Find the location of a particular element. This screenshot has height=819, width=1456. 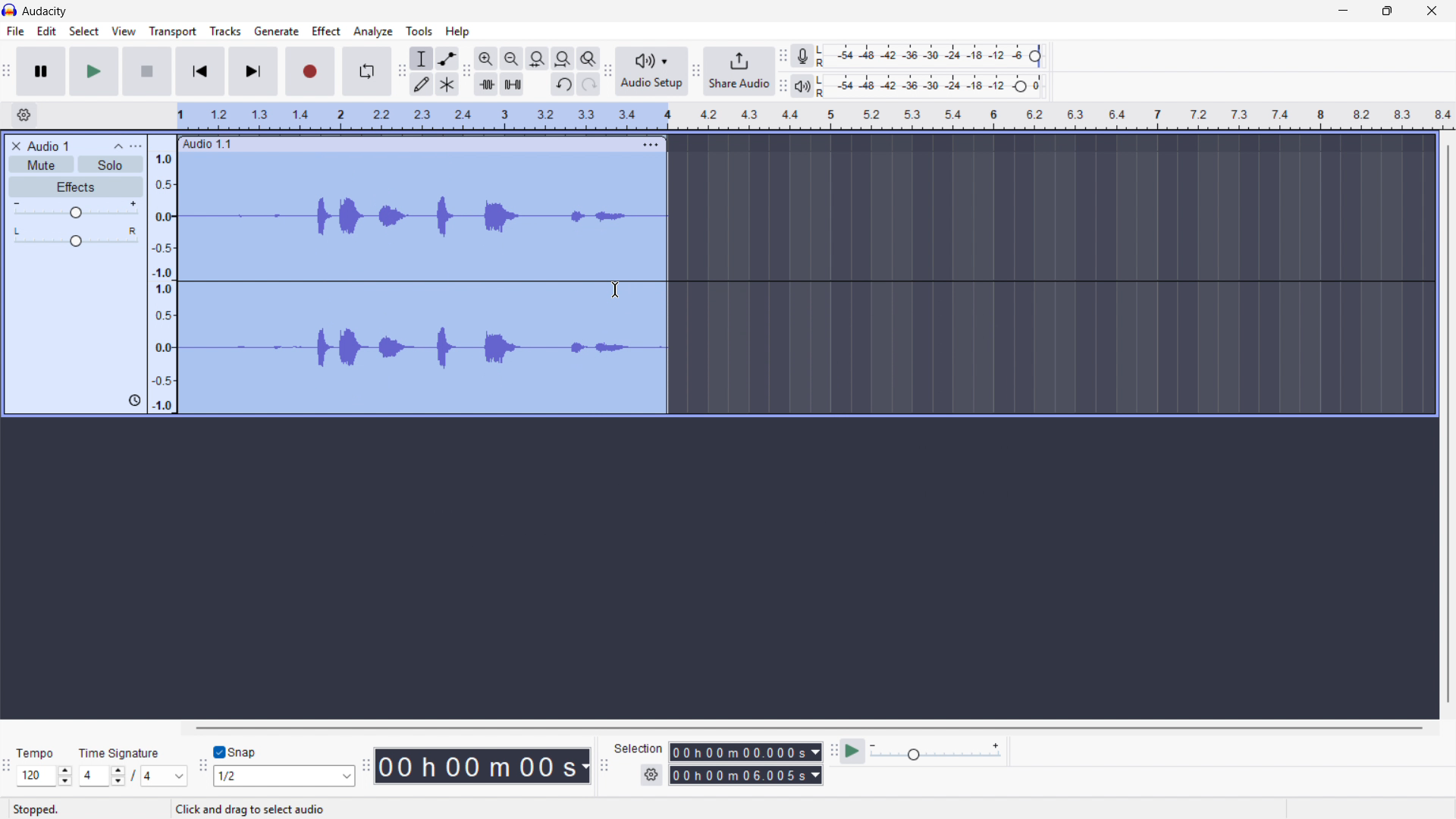

Track title is located at coordinates (49, 146).